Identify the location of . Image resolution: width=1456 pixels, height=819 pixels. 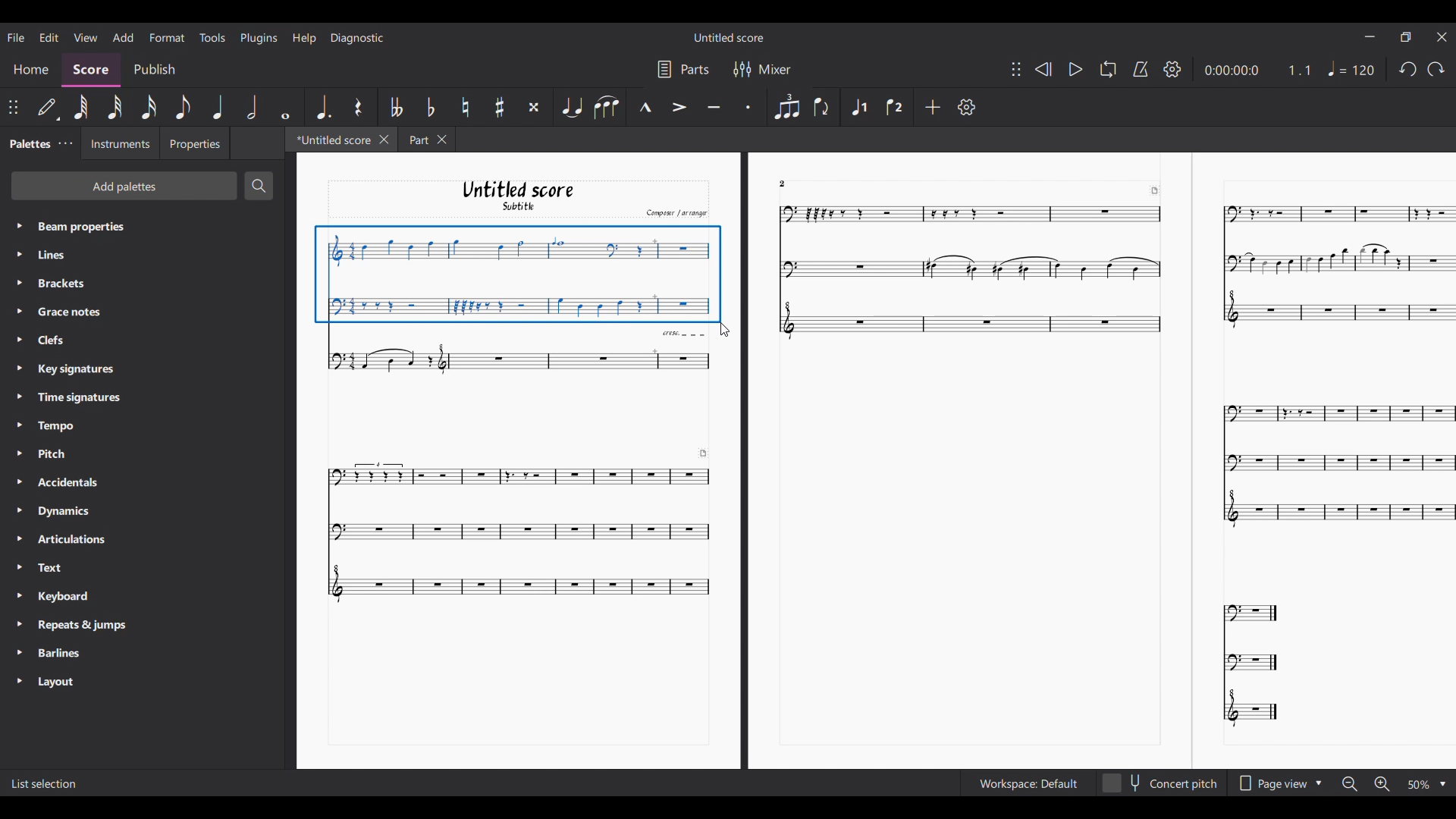
(1338, 212).